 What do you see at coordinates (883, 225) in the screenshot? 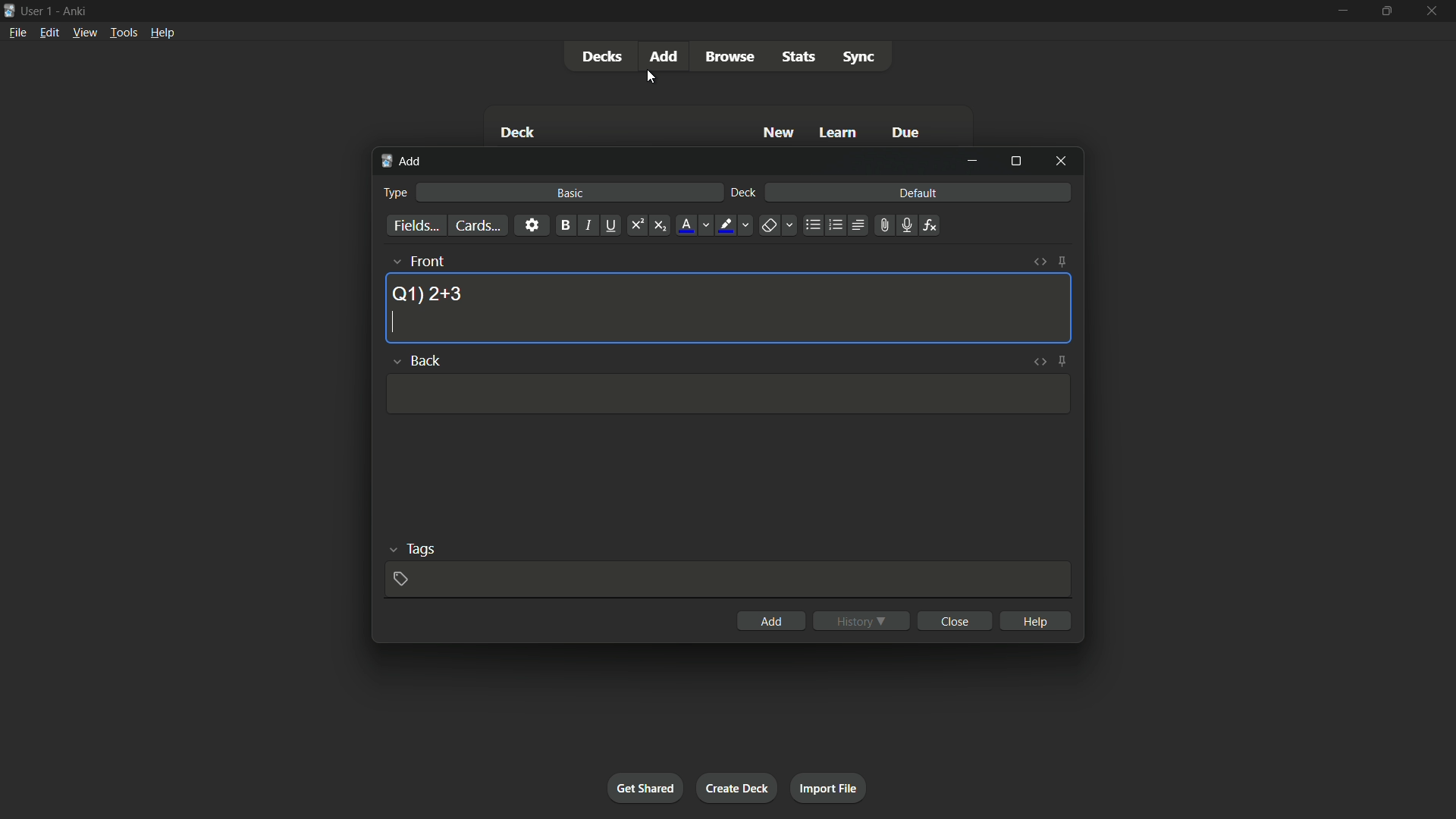
I see `attach file` at bounding box center [883, 225].